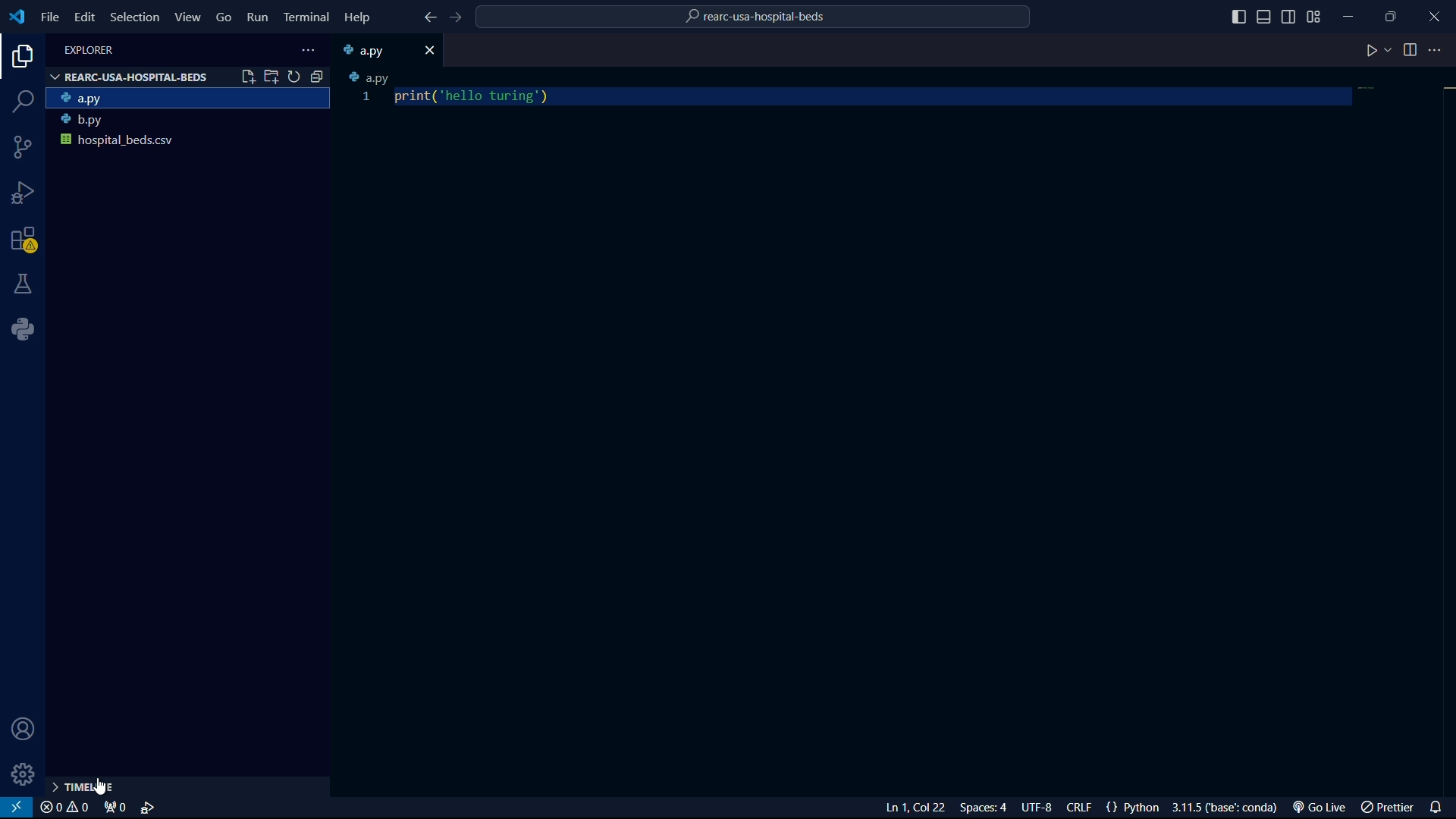 This screenshot has width=1456, height=819. Describe the element at coordinates (1438, 807) in the screenshot. I see `notifications` at that location.